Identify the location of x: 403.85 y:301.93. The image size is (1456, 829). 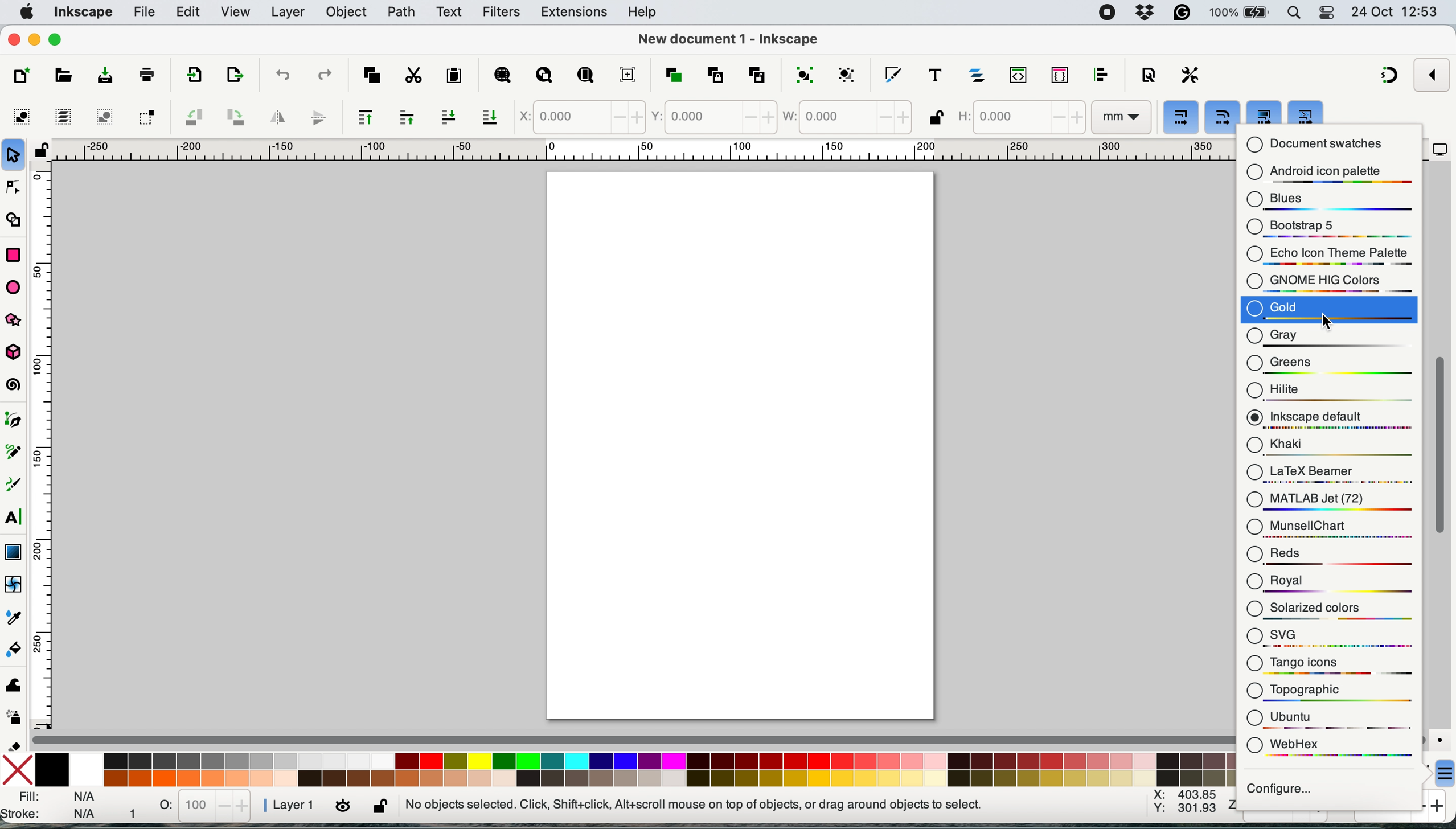
(1183, 803).